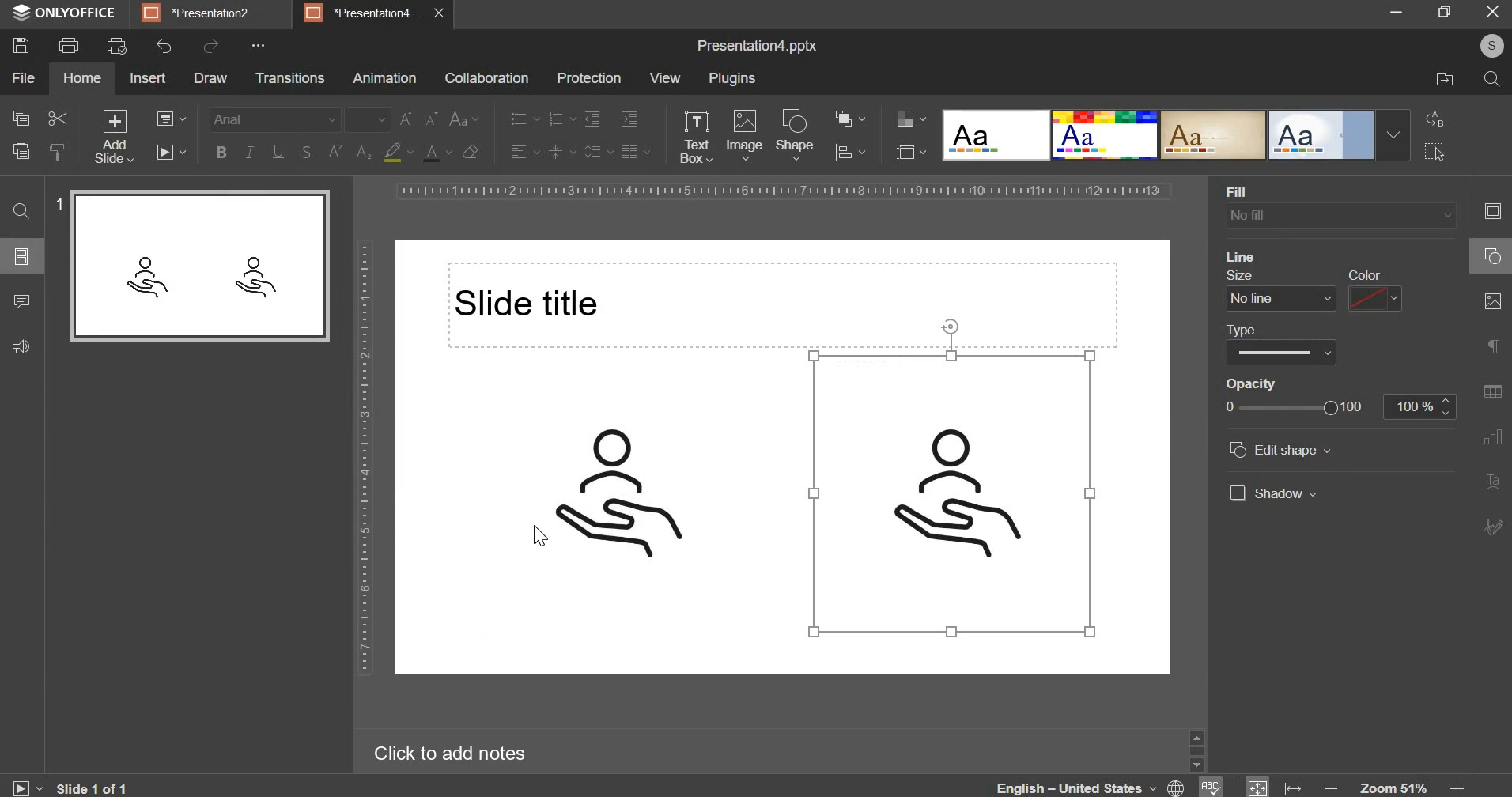 This screenshot has height=797, width=1512. Describe the element at coordinates (1281, 298) in the screenshot. I see `line size` at that location.